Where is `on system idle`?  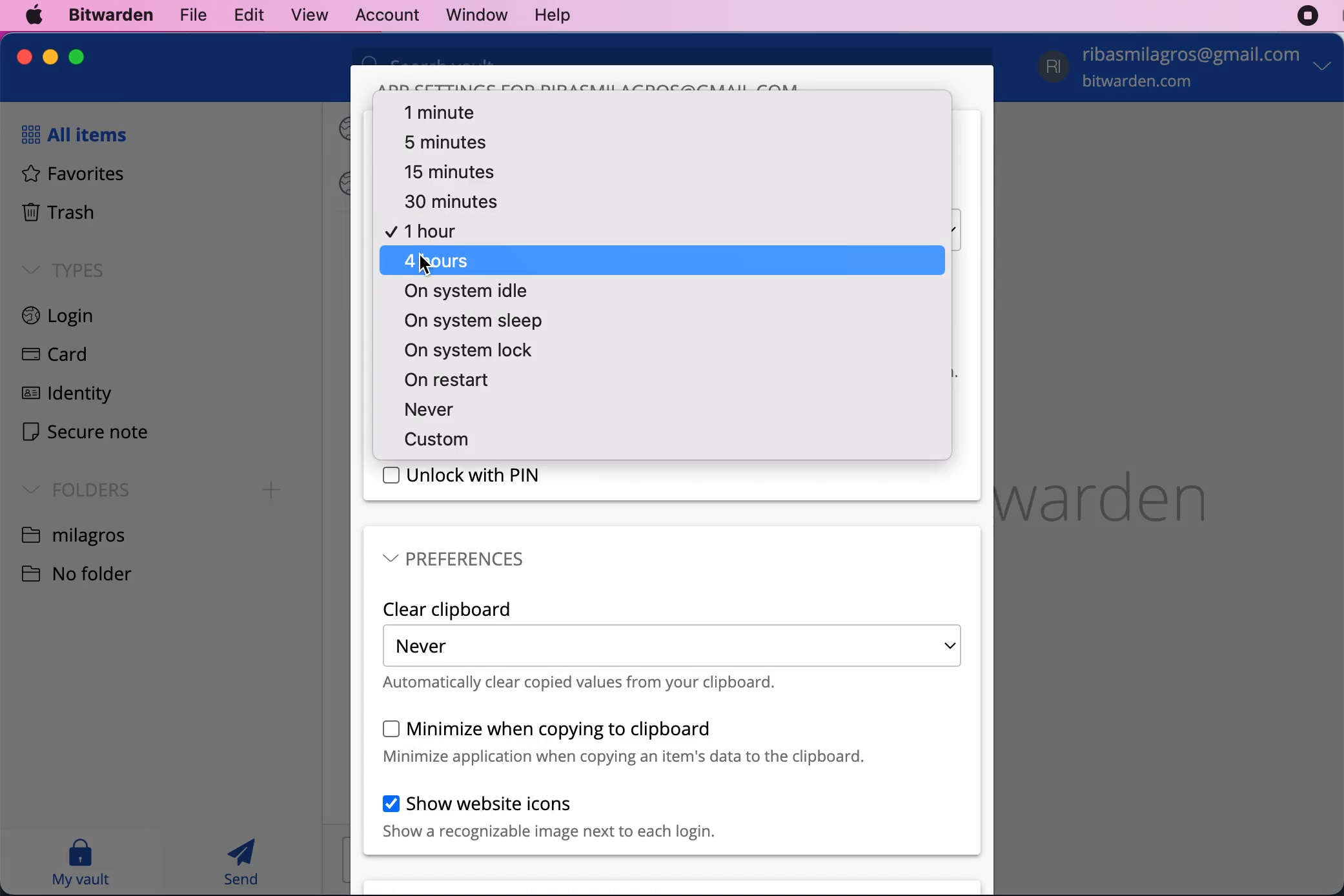 on system idle is located at coordinates (462, 292).